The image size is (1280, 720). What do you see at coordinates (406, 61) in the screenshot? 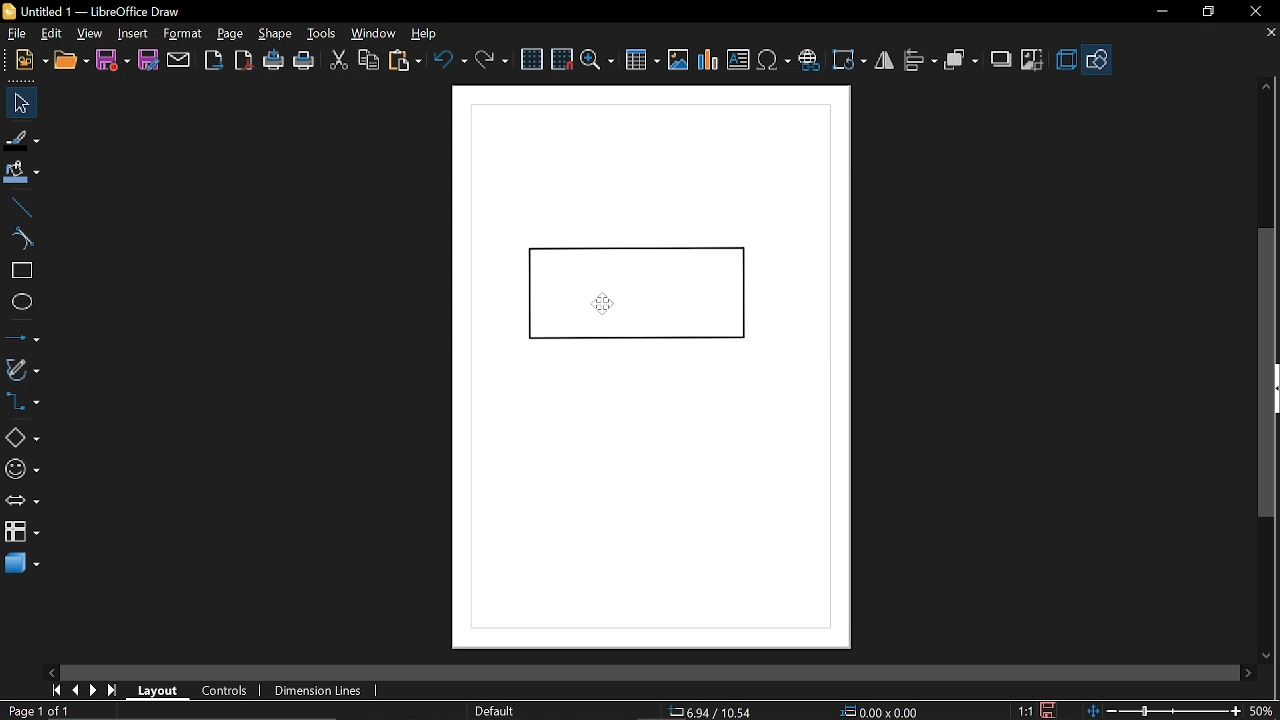
I see `paste` at bounding box center [406, 61].